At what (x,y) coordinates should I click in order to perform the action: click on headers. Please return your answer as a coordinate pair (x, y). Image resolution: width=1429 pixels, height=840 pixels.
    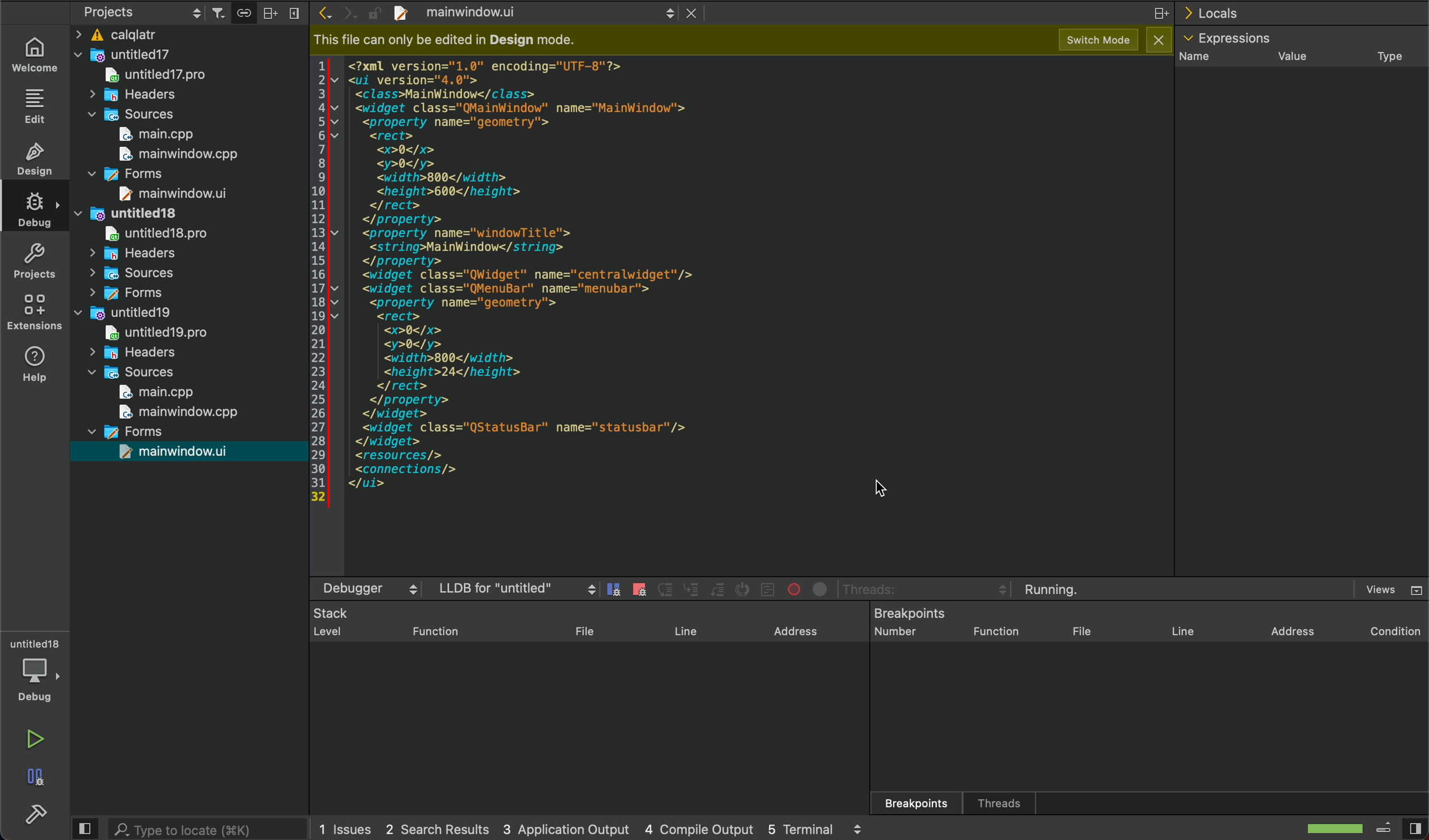
    Looking at the image, I should click on (147, 354).